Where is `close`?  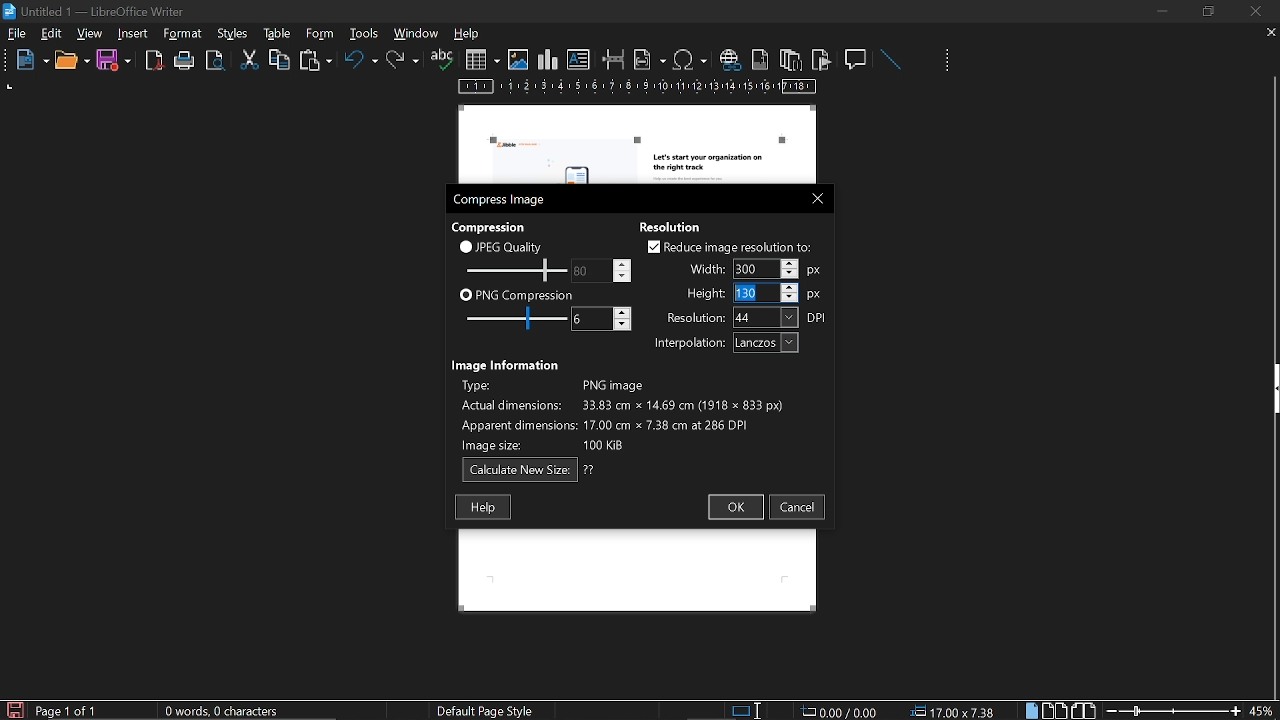
close is located at coordinates (1254, 11).